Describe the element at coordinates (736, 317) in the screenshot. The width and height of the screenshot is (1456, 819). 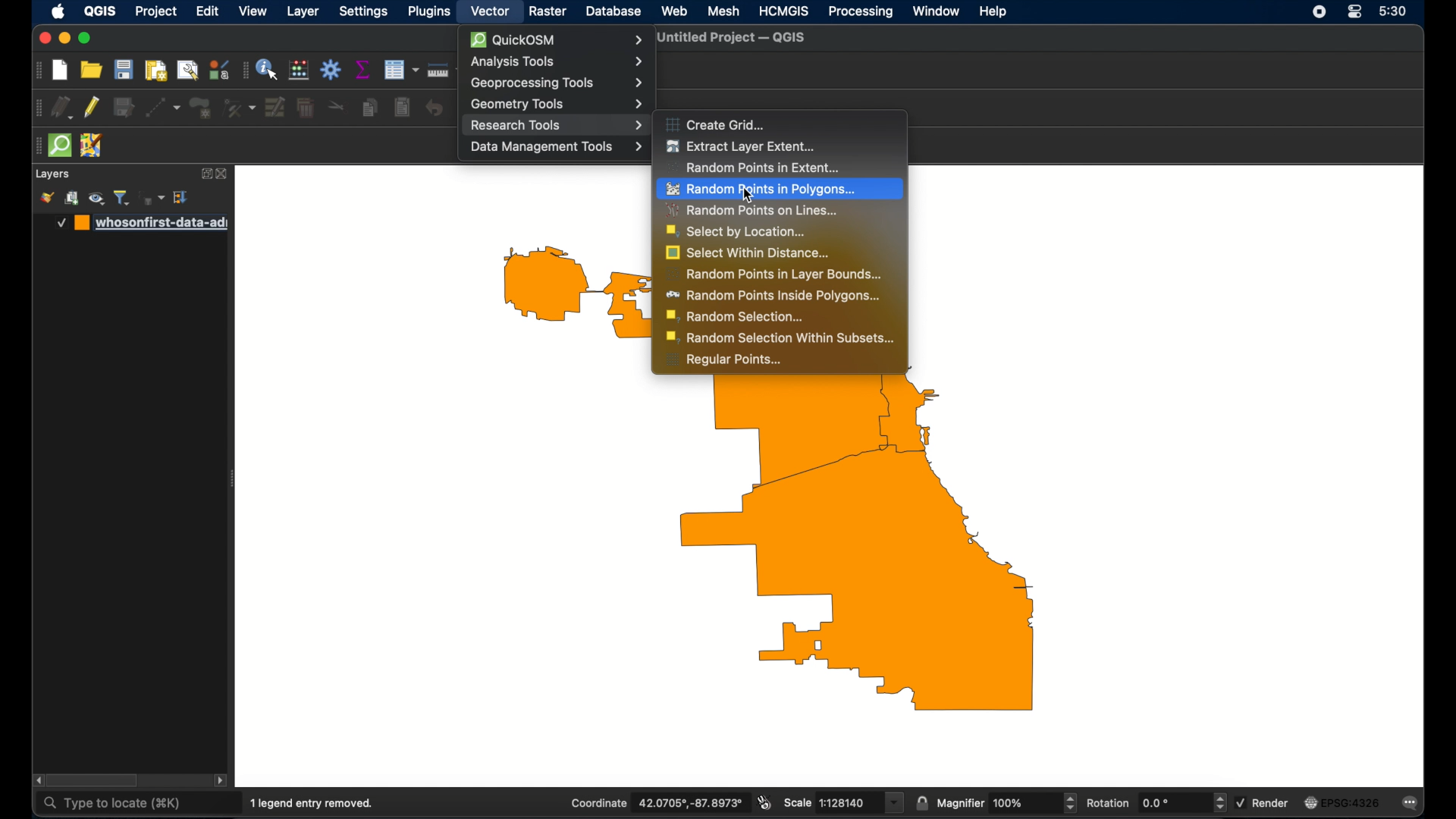
I see `random selection` at that location.